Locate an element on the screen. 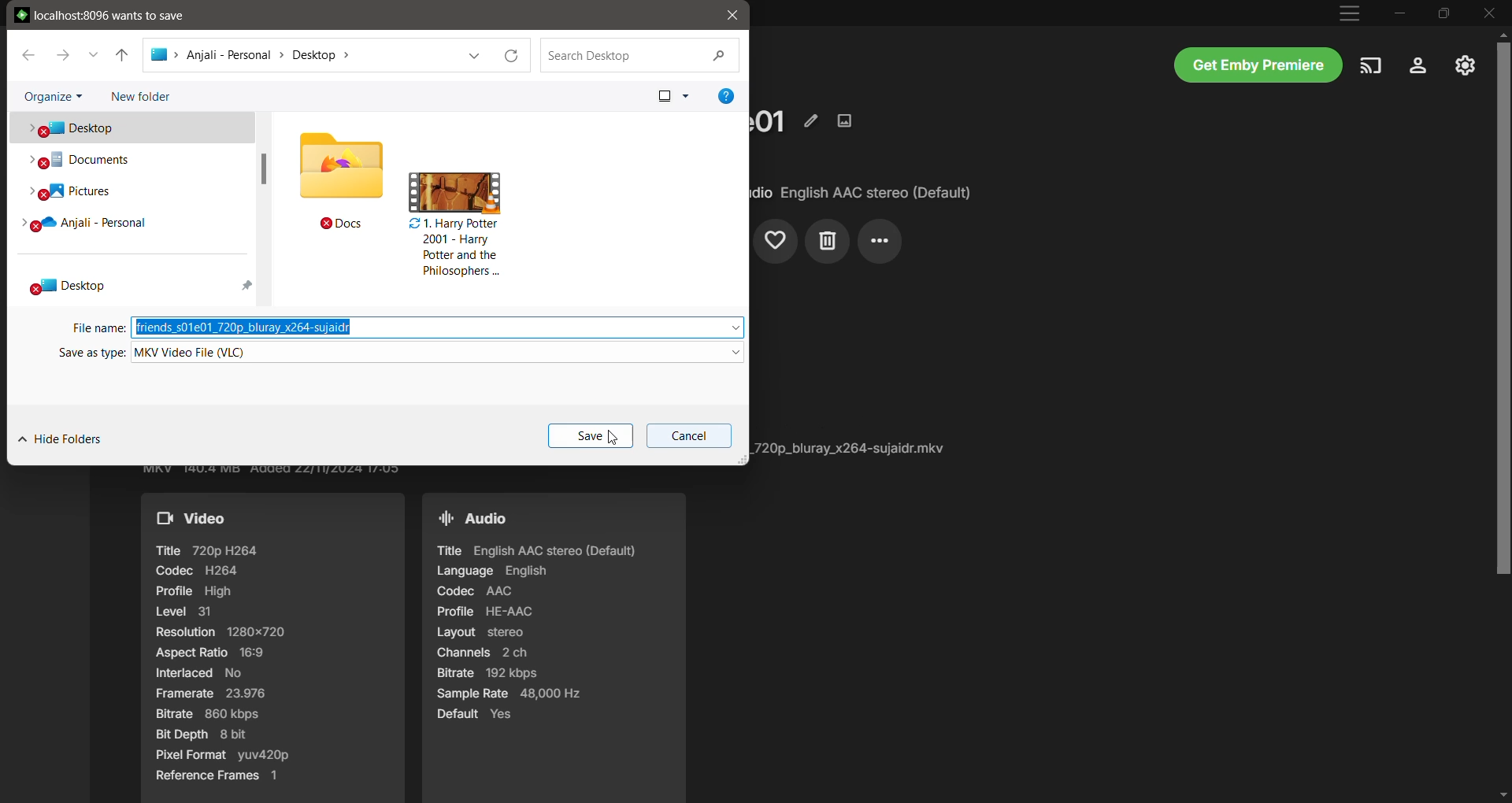 This screenshot has height=803, width=1512. Organize is located at coordinates (51, 94).